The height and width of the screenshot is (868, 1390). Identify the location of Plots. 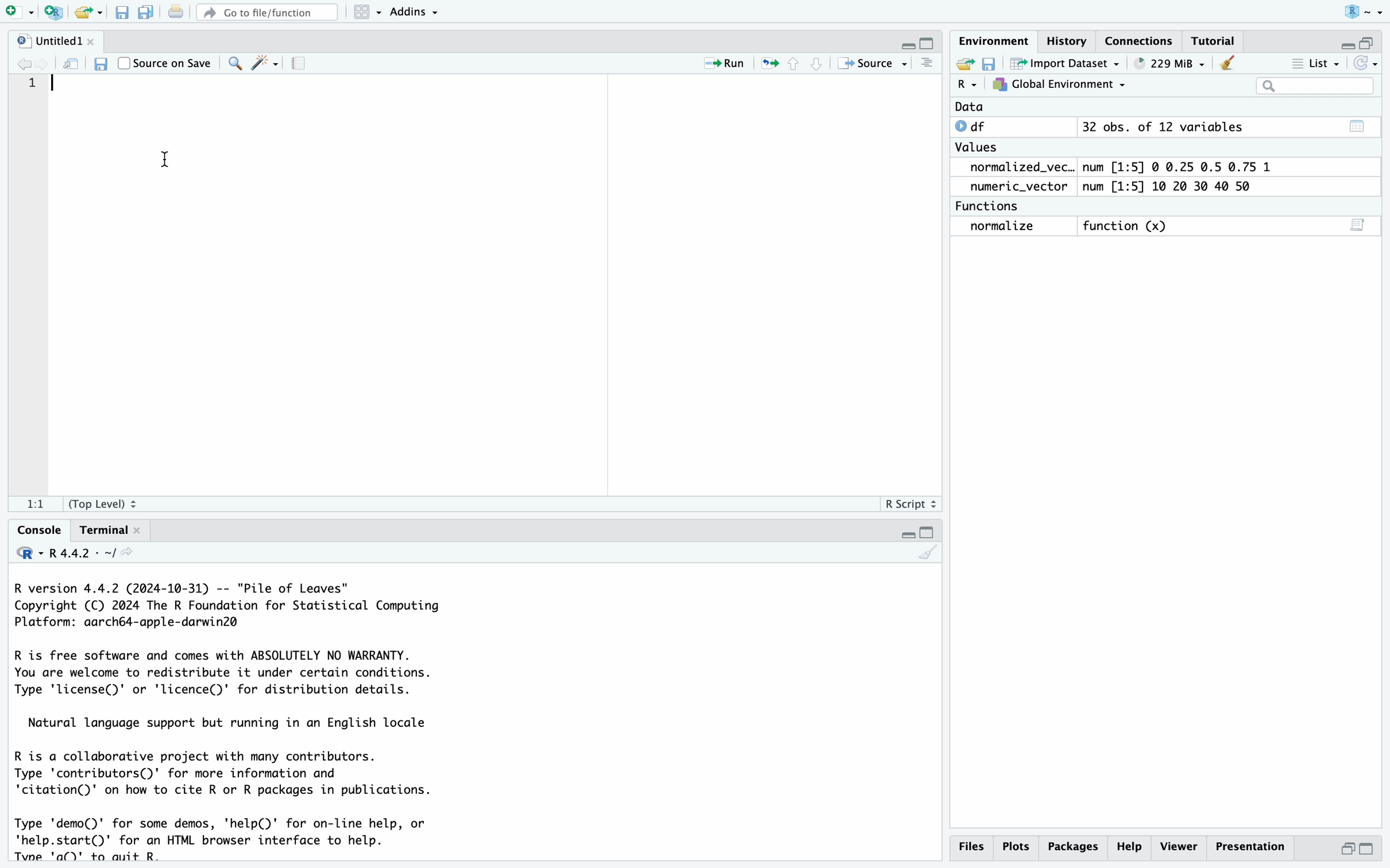
(1015, 847).